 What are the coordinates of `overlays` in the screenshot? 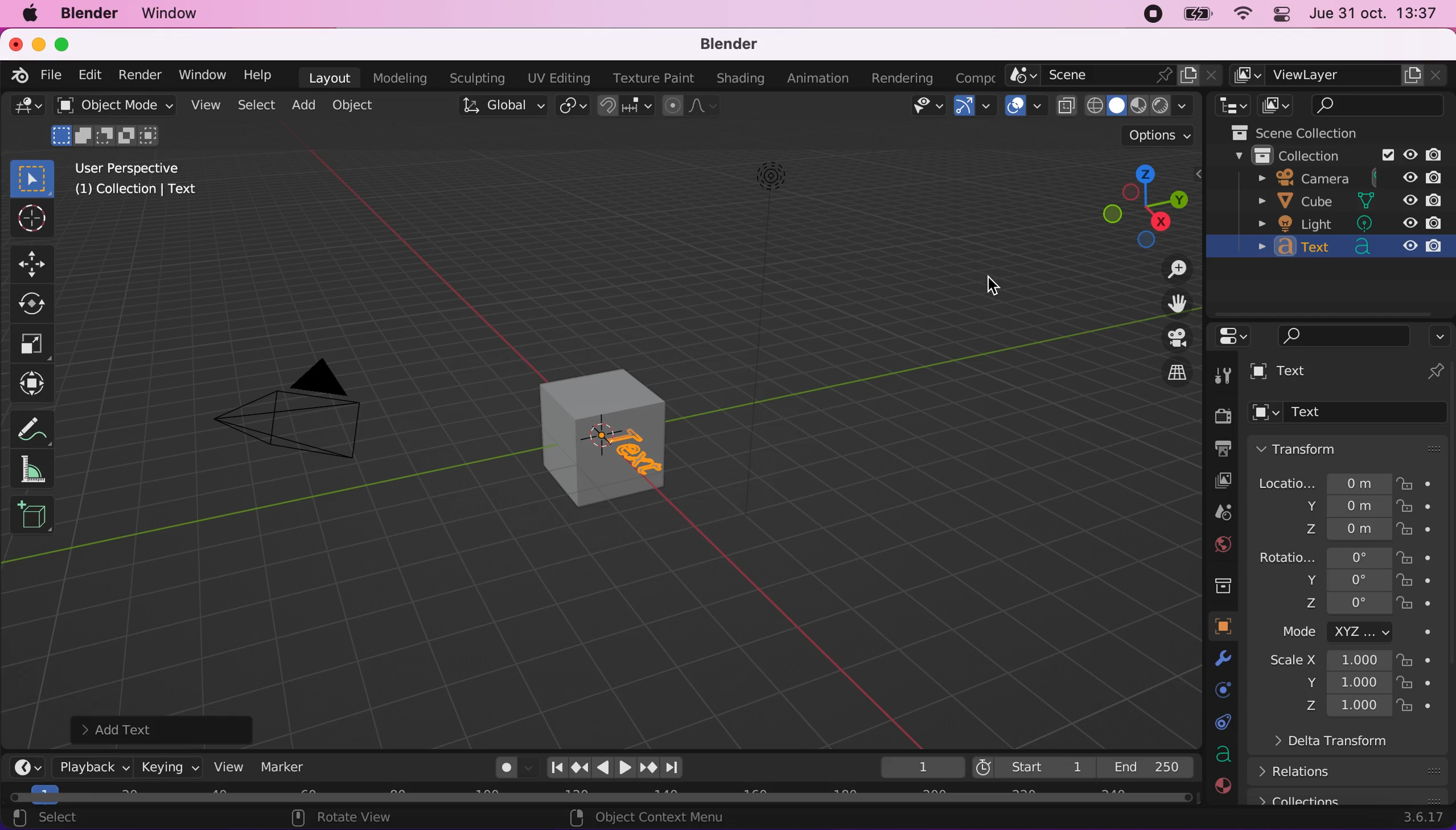 It's located at (1022, 105).